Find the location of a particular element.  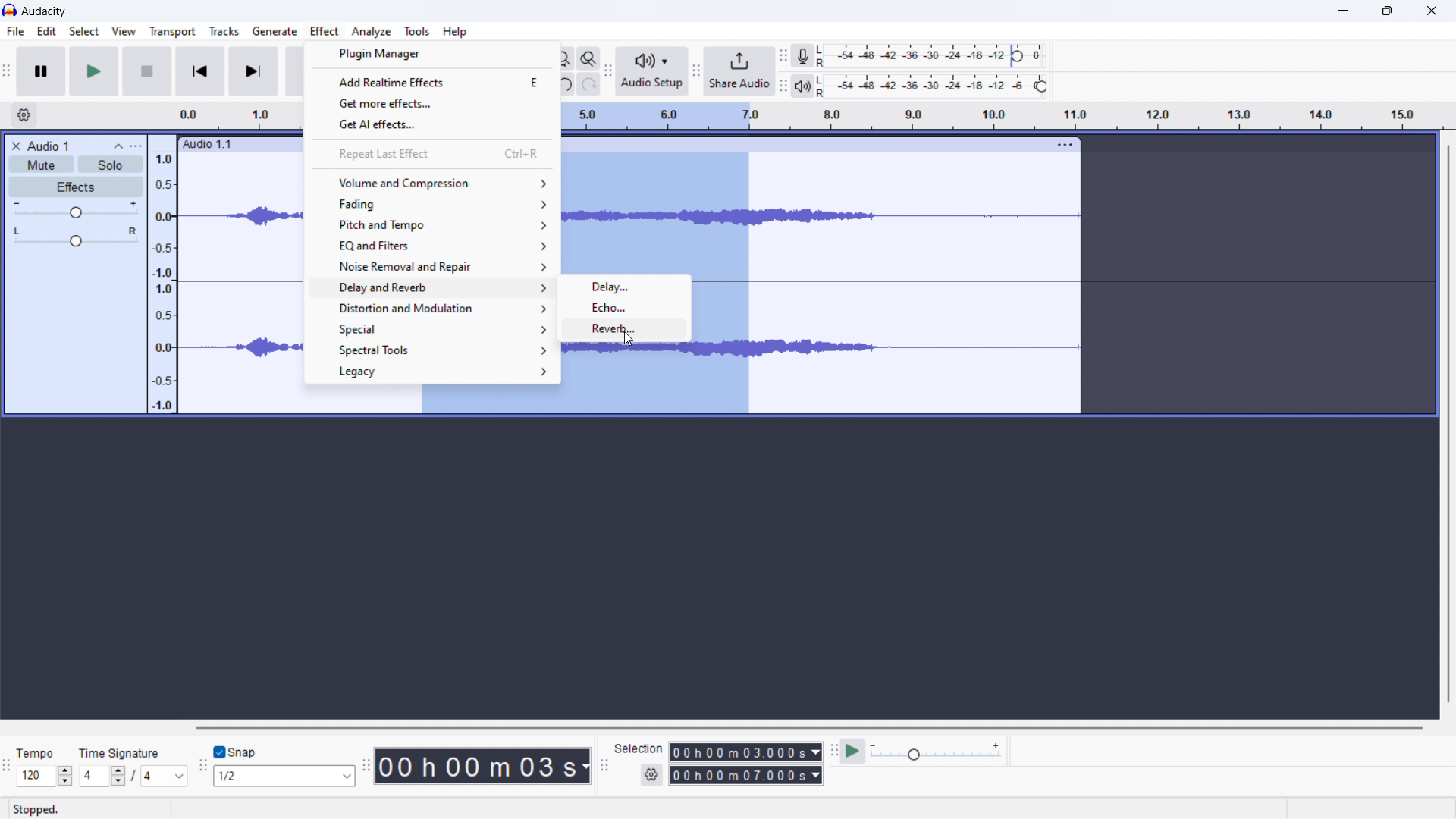

/ is located at coordinates (134, 775).